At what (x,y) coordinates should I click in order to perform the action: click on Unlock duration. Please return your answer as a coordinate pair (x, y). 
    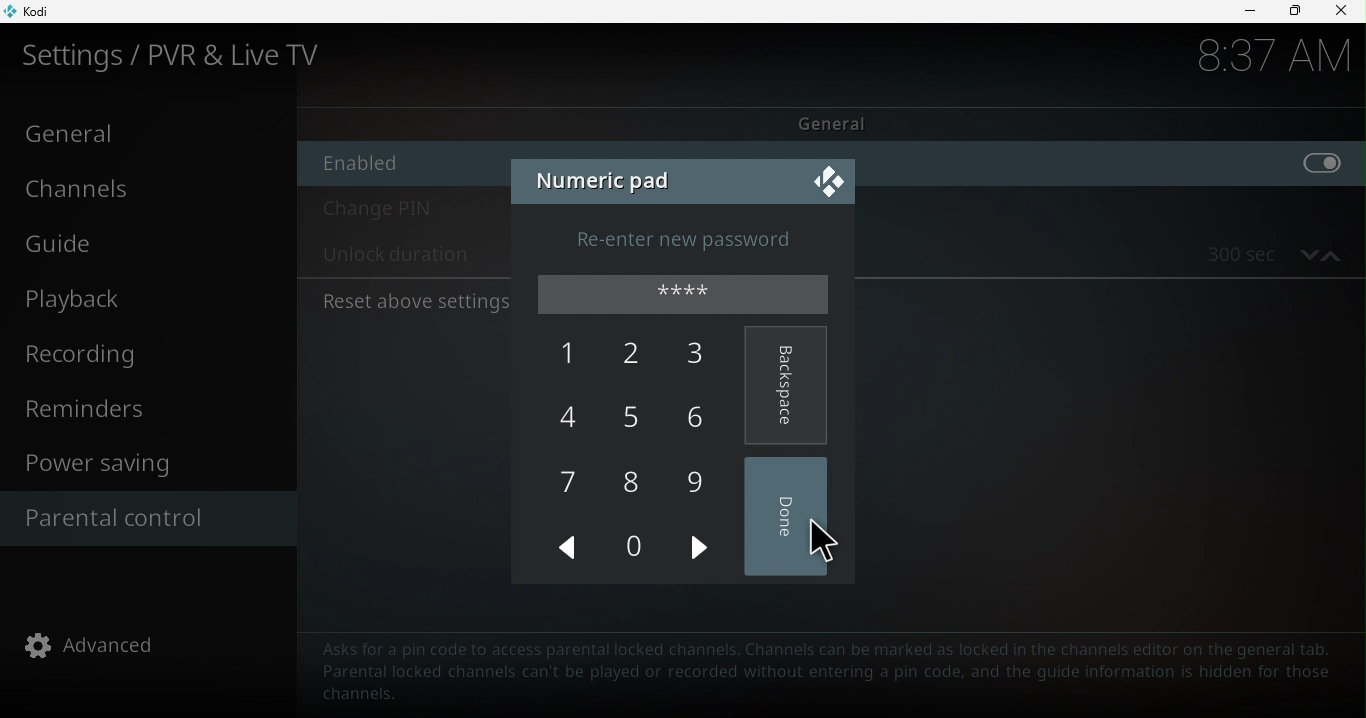
    Looking at the image, I should click on (395, 257).